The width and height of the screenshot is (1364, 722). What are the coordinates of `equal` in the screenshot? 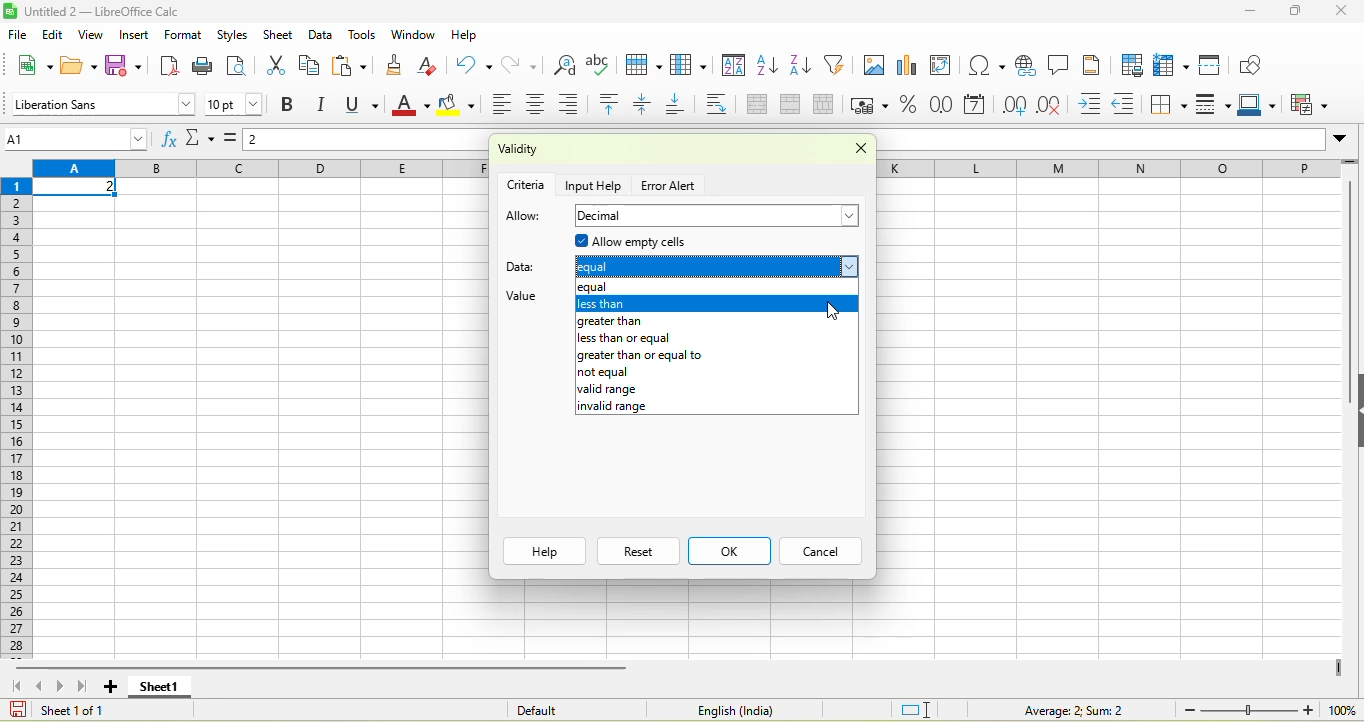 It's located at (710, 287).